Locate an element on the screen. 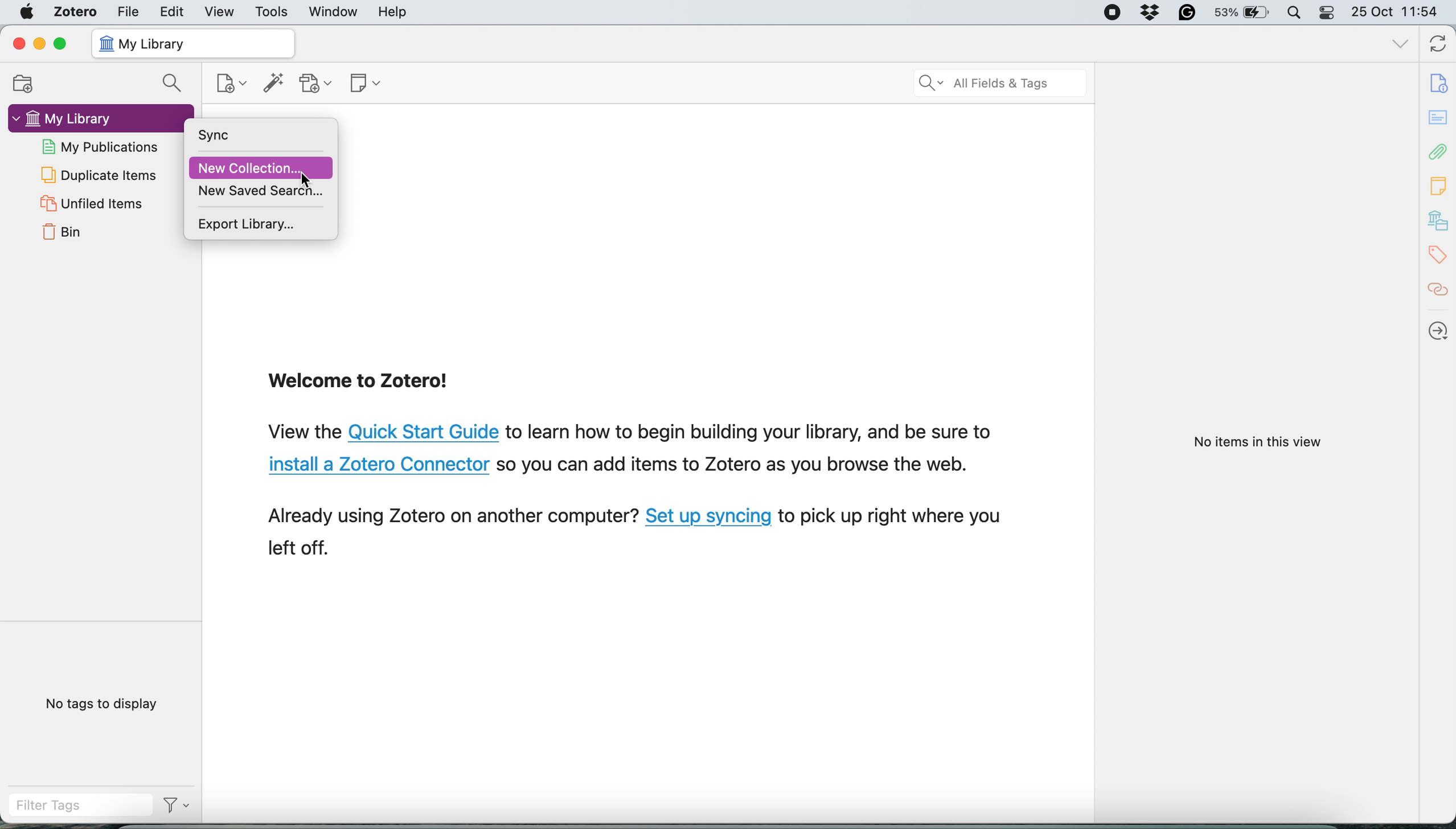 Image resolution: width=1456 pixels, height=829 pixels. new item is located at coordinates (229, 82).